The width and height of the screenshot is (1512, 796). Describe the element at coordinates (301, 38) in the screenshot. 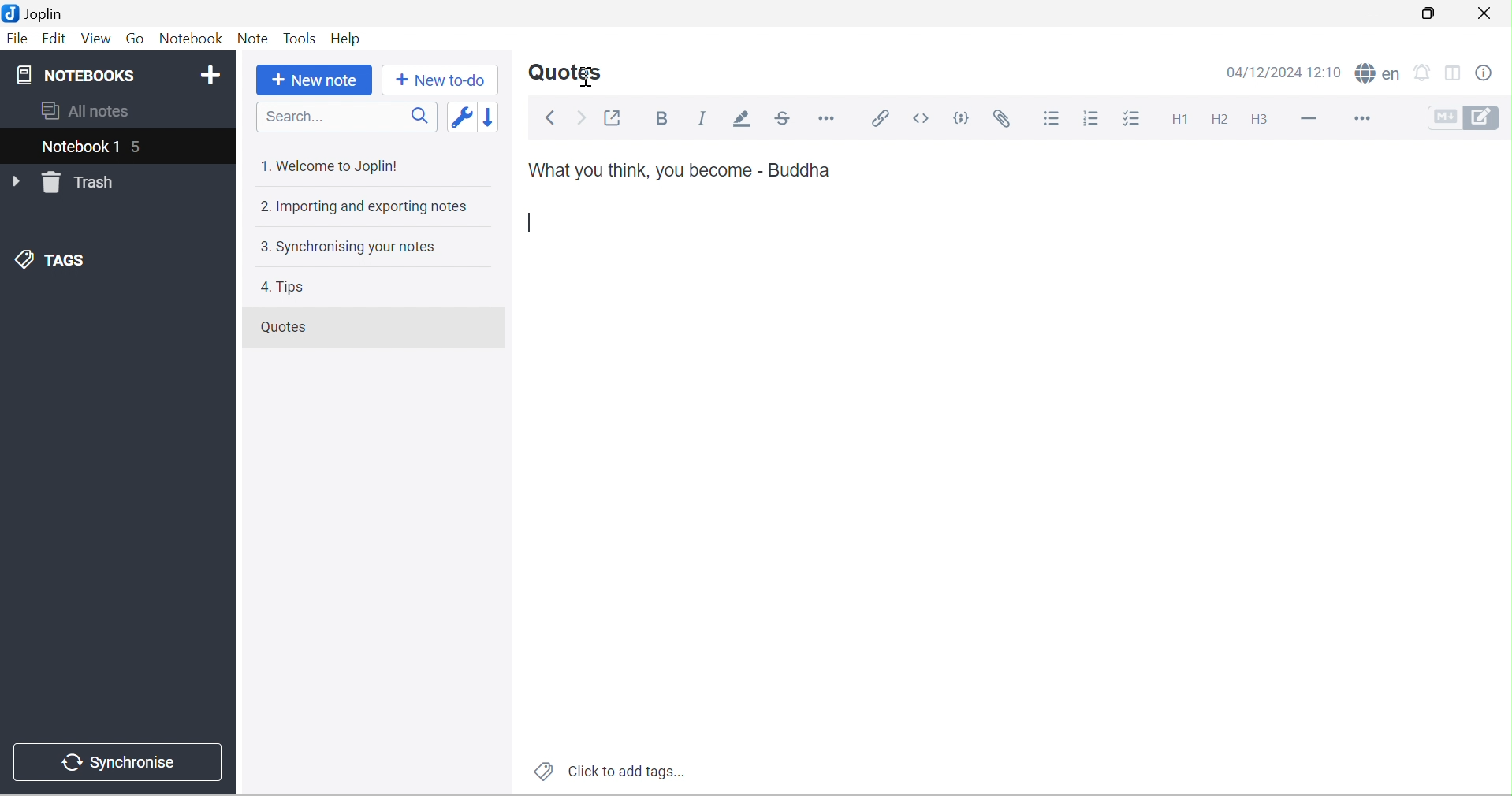

I see `Tools` at that location.